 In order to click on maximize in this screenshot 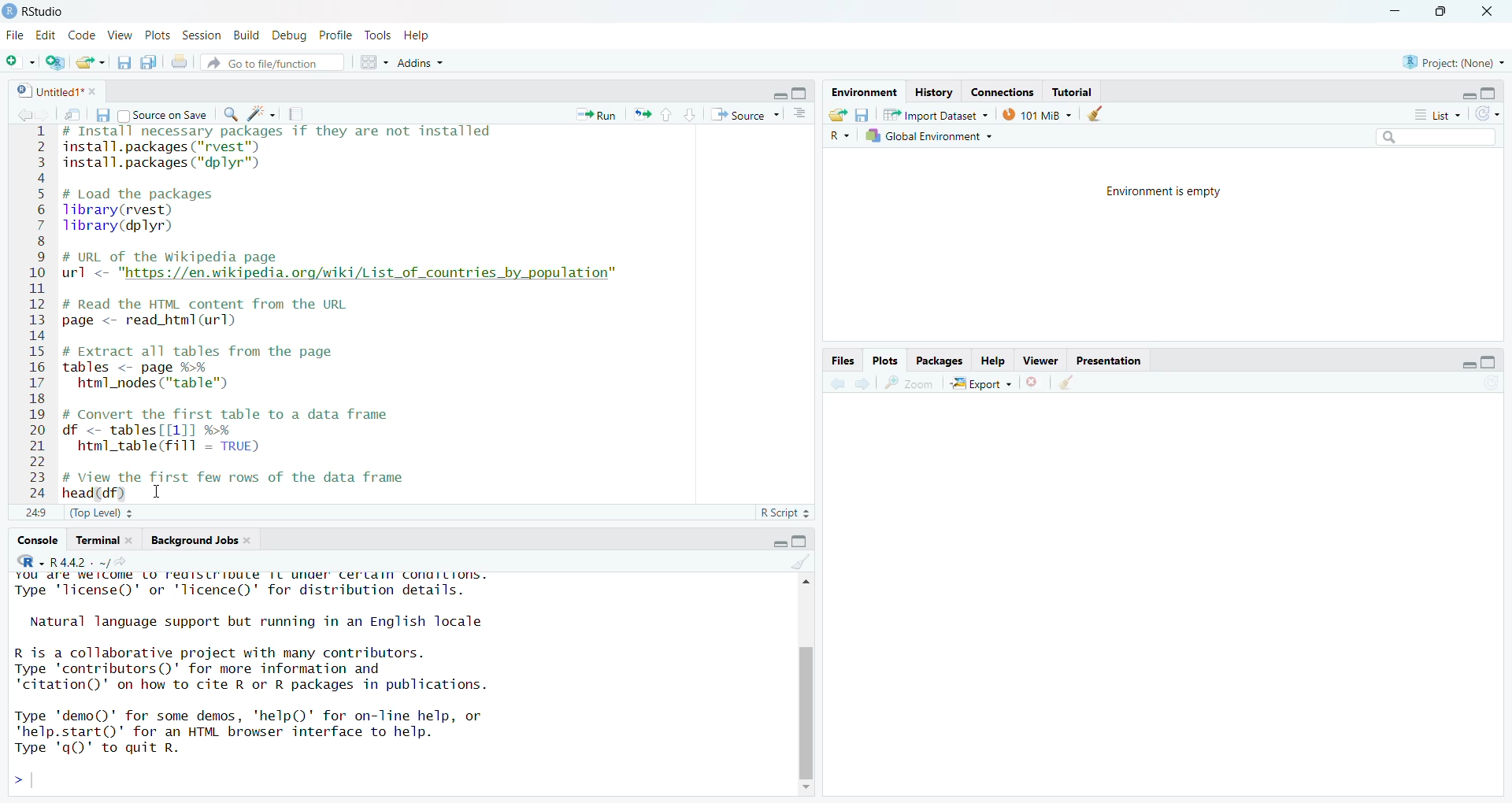, I will do `click(1489, 362)`.